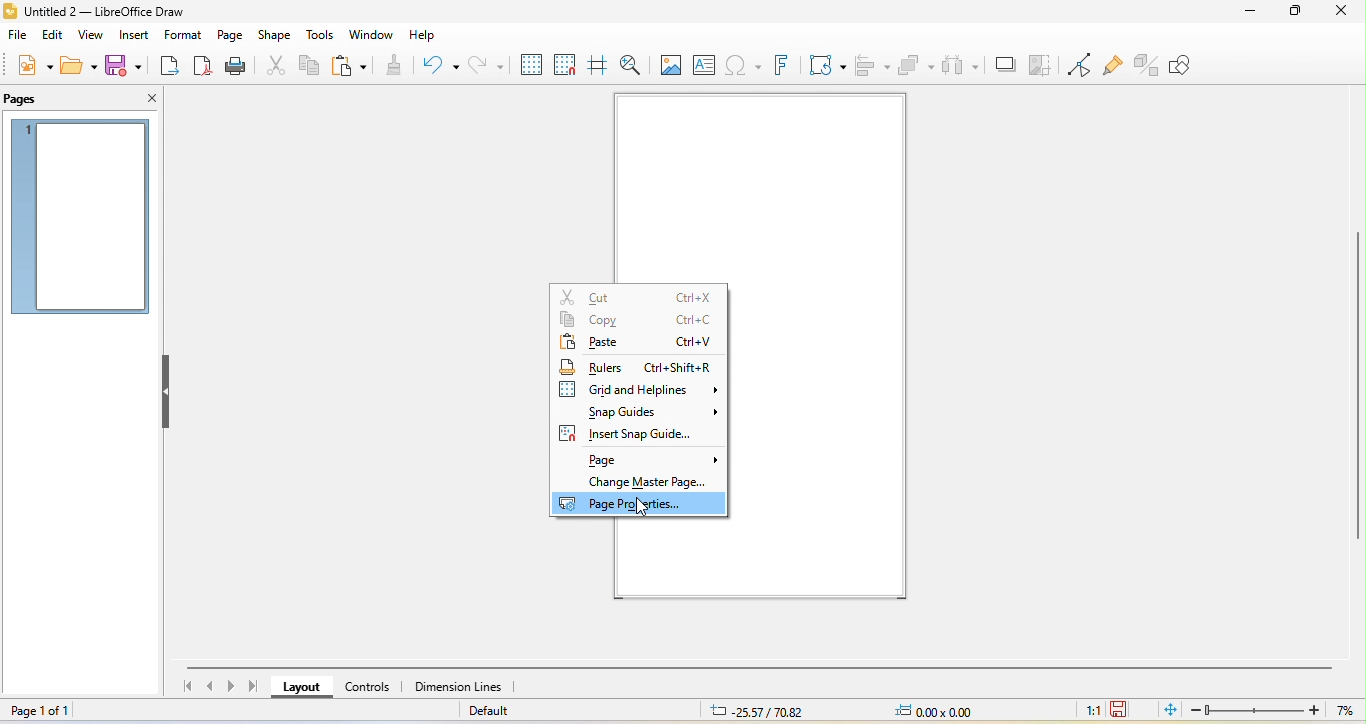 This screenshot has width=1366, height=724. Describe the element at coordinates (202, 66) in the screenshot. I see `export directly as pdf` at that location.